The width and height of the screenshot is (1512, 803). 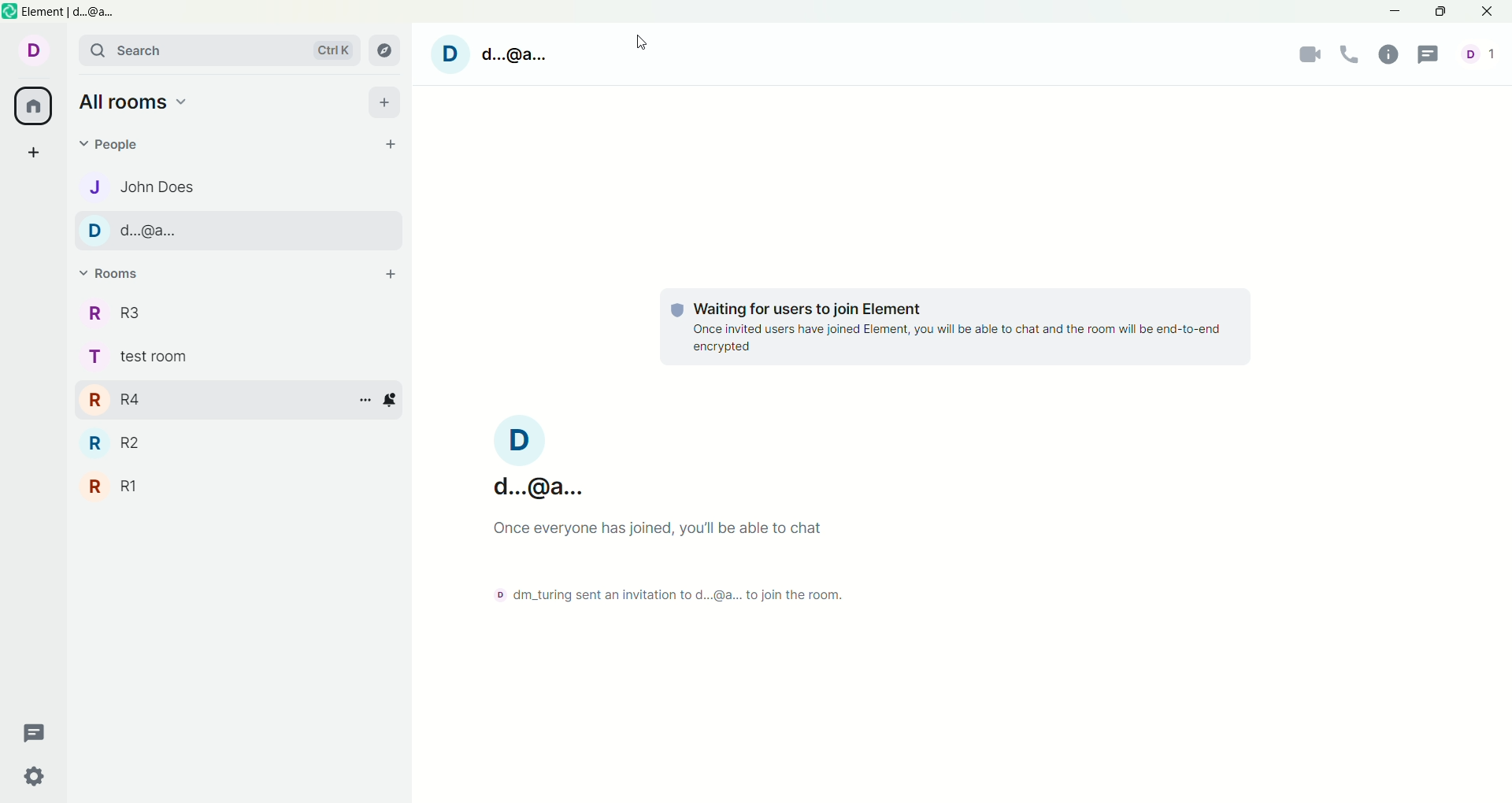 What do you see at coordinates (238, 442) in the screenshot?
I see `R2 room` at bounding box center [238, 442].